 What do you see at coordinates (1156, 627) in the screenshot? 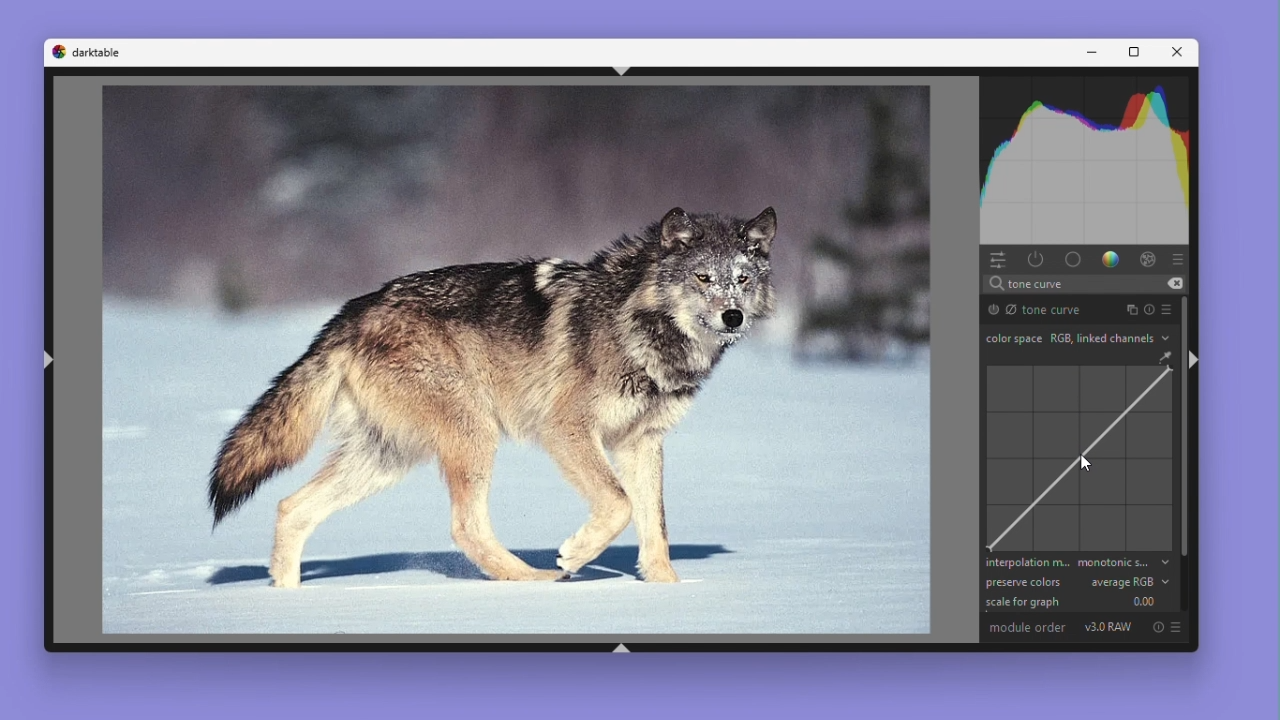
I see `Reset` at bounding box center [1156, 627].